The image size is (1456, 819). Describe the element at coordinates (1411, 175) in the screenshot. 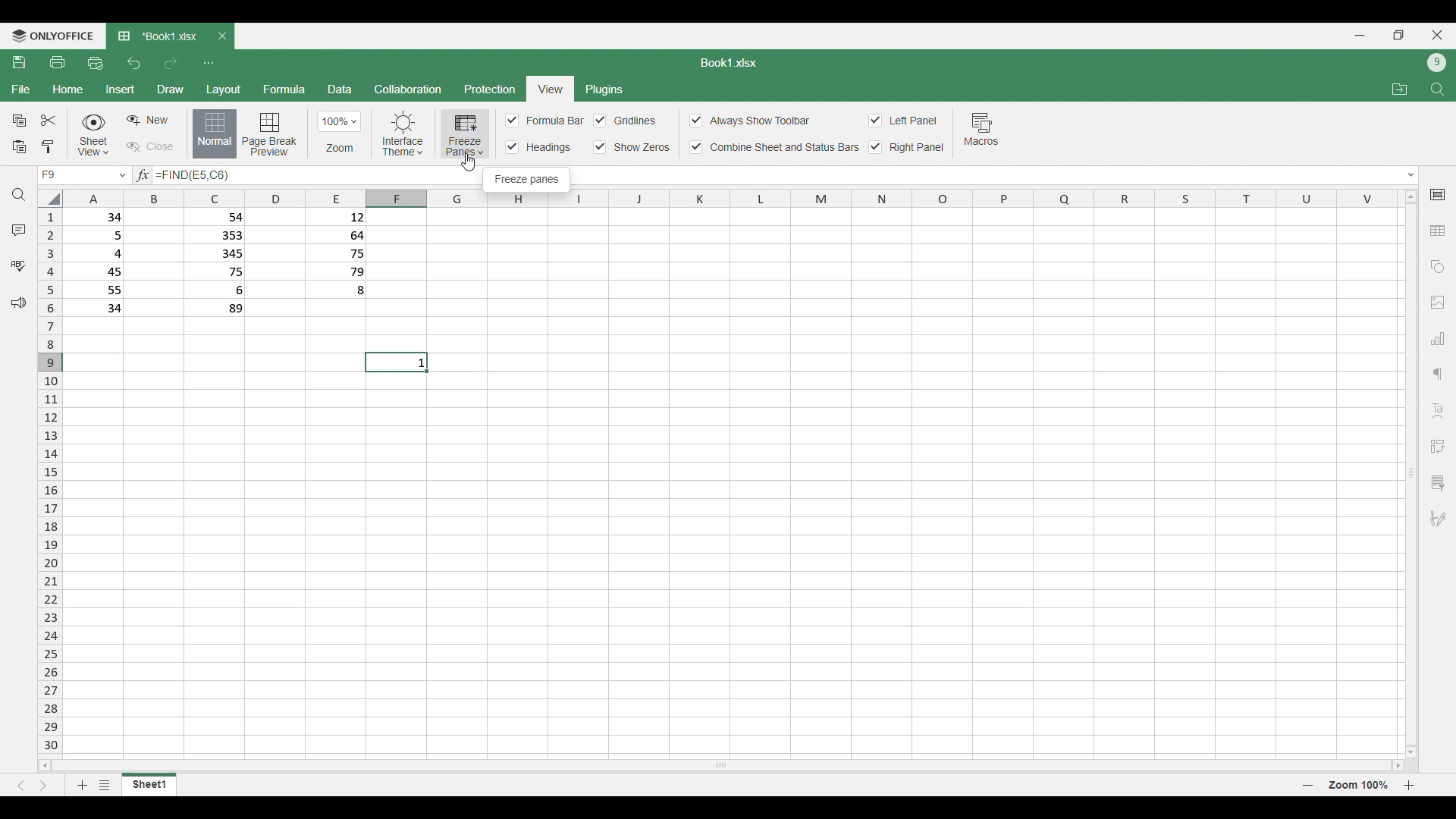

I see `Expand/Collapse` at that location.